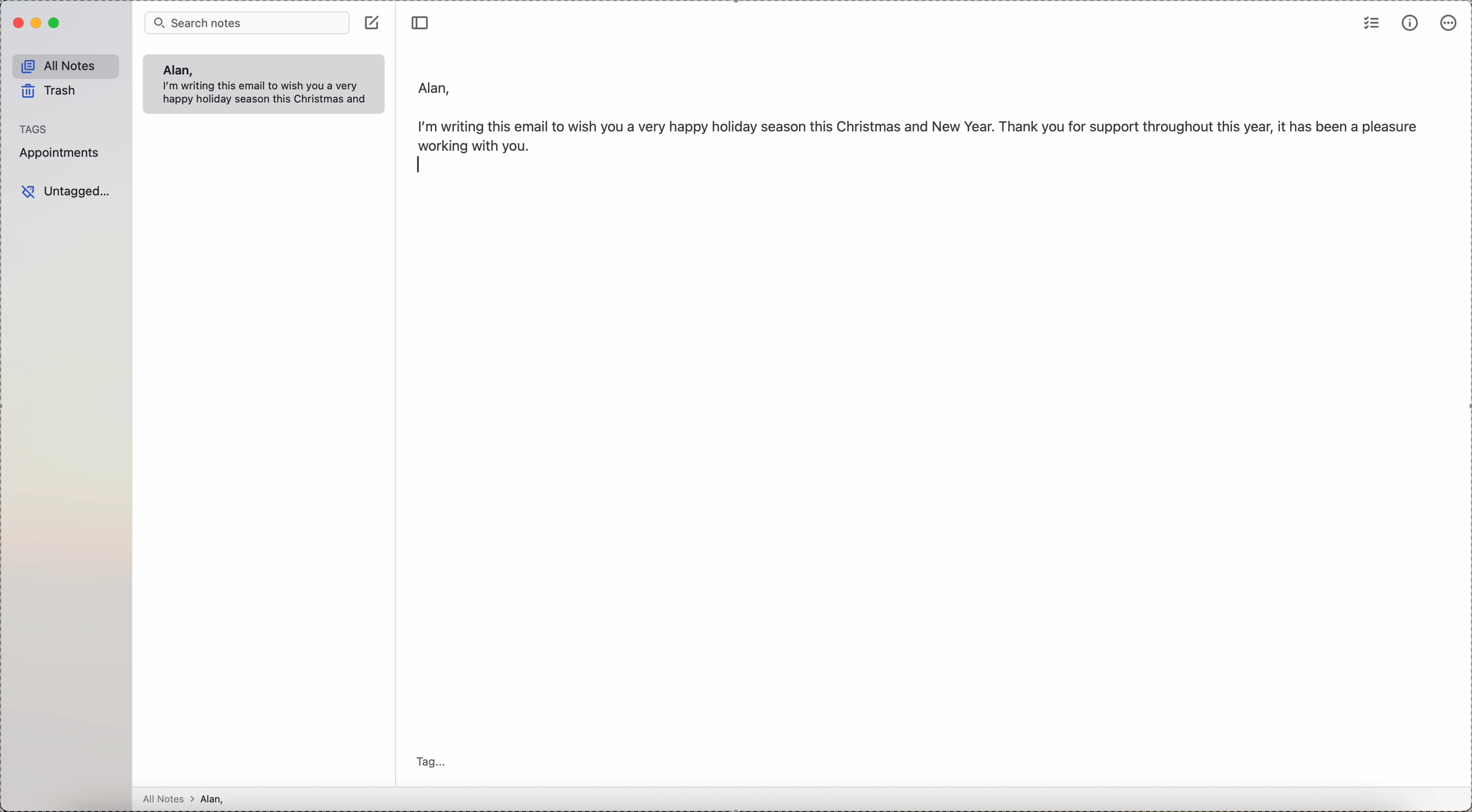 The width and height of the screenshot is (1472, 812). What do you see at coordinates (66, 66) in the screenshot?
I see `all notes` at bounding box center [66, 66].